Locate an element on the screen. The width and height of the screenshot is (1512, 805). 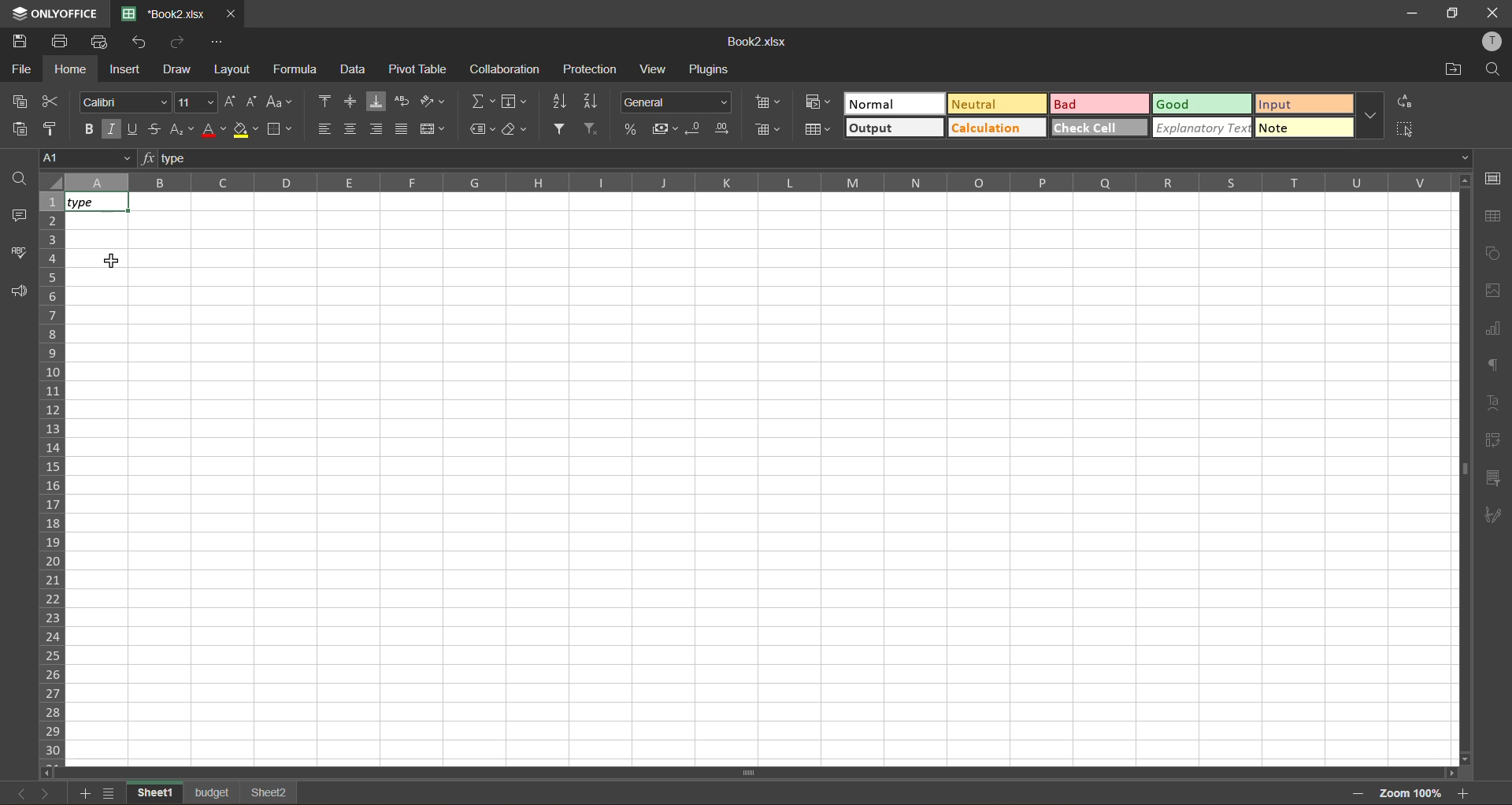
sub/superscript is located at coordinates (180, 131).